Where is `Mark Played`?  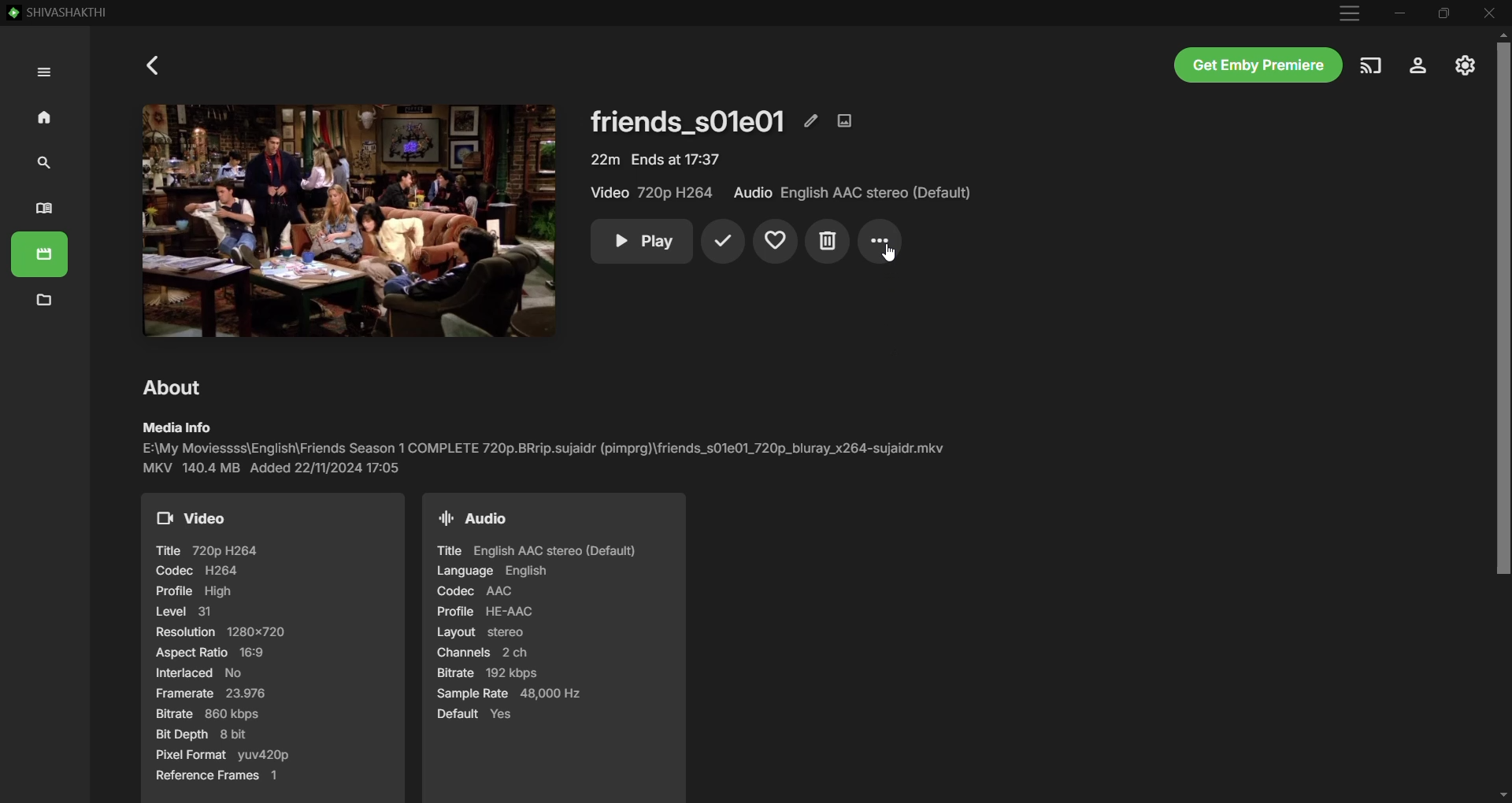
Mark Played is located at coordinates (722, 242).